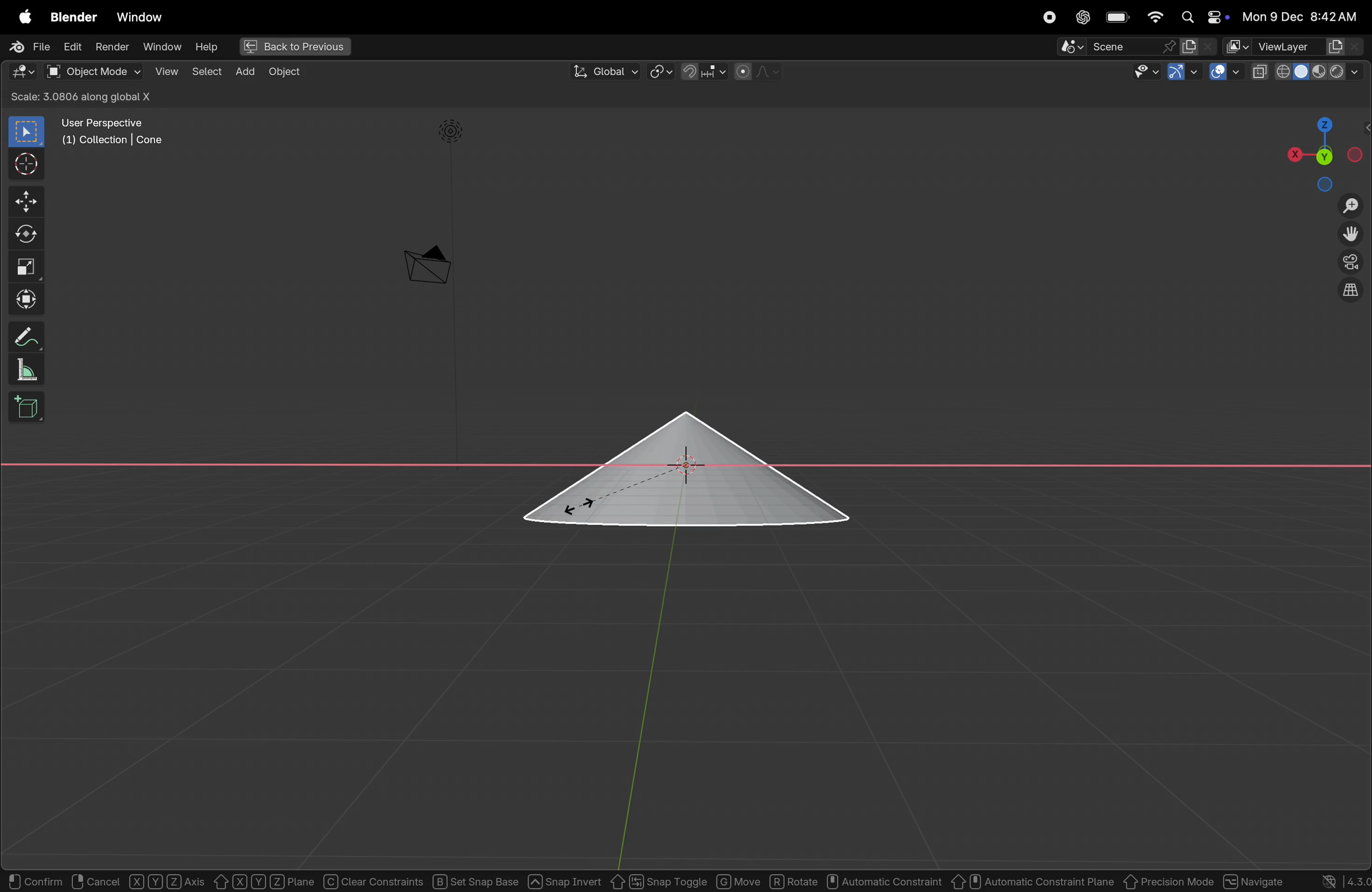  I want to click on version, so click(1335, 880).